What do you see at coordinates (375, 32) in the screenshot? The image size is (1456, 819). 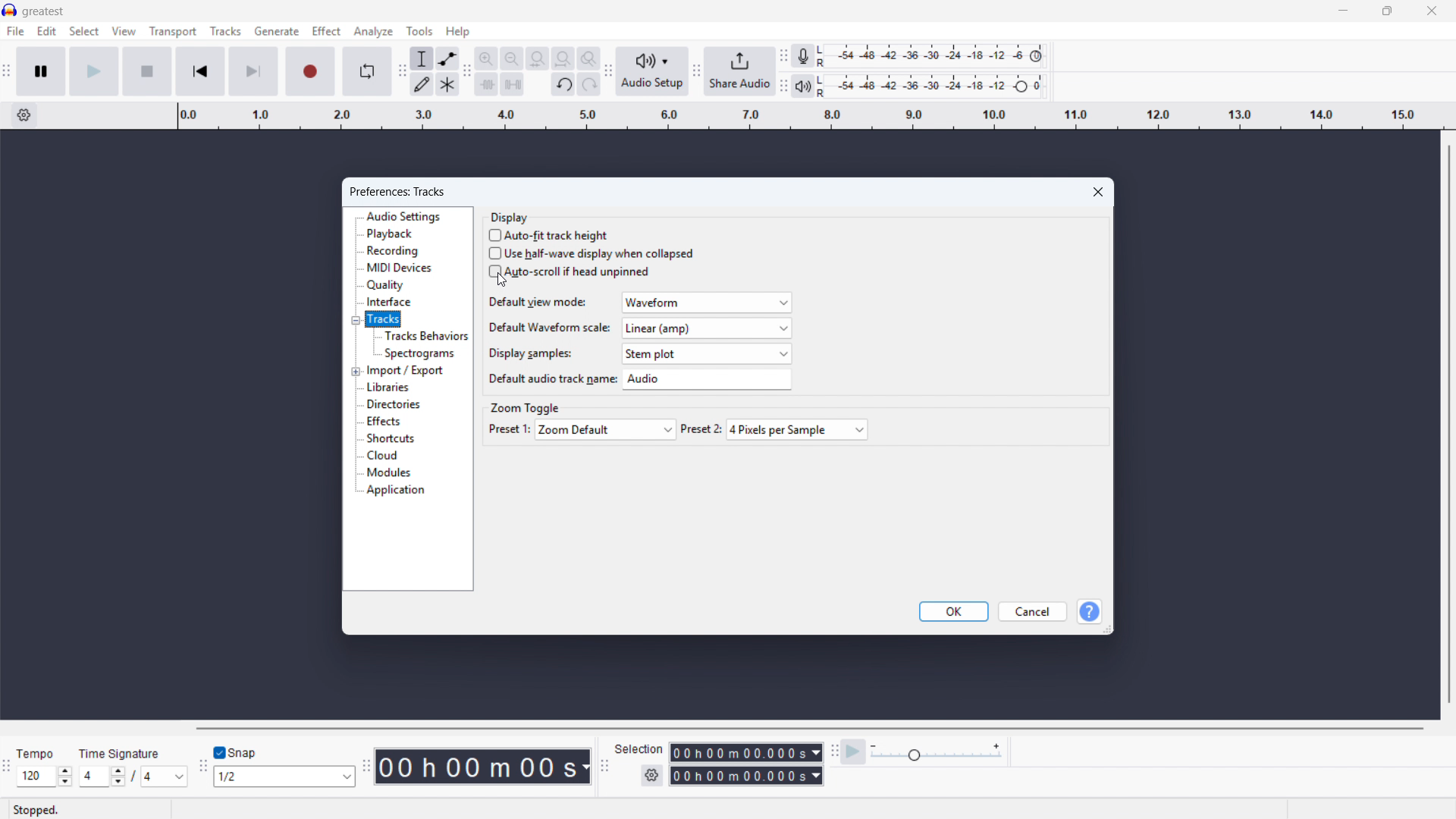 I see `Analyse ` at bounding box center [375, 32].